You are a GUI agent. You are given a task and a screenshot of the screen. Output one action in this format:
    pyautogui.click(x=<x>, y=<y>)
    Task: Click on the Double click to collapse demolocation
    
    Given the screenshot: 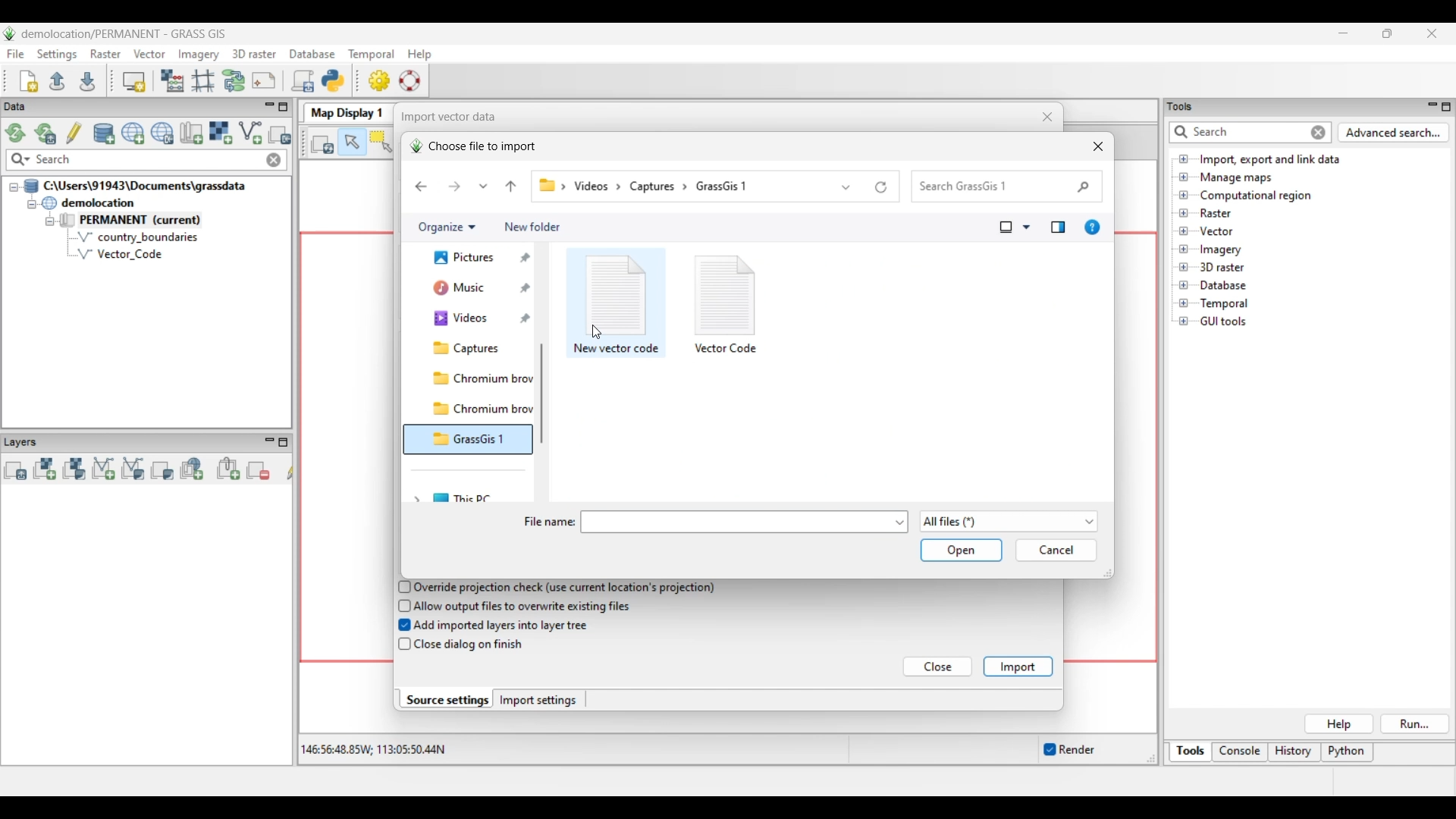 What is the action you would take?
    pyautogui.click(x=88, y=202)
    